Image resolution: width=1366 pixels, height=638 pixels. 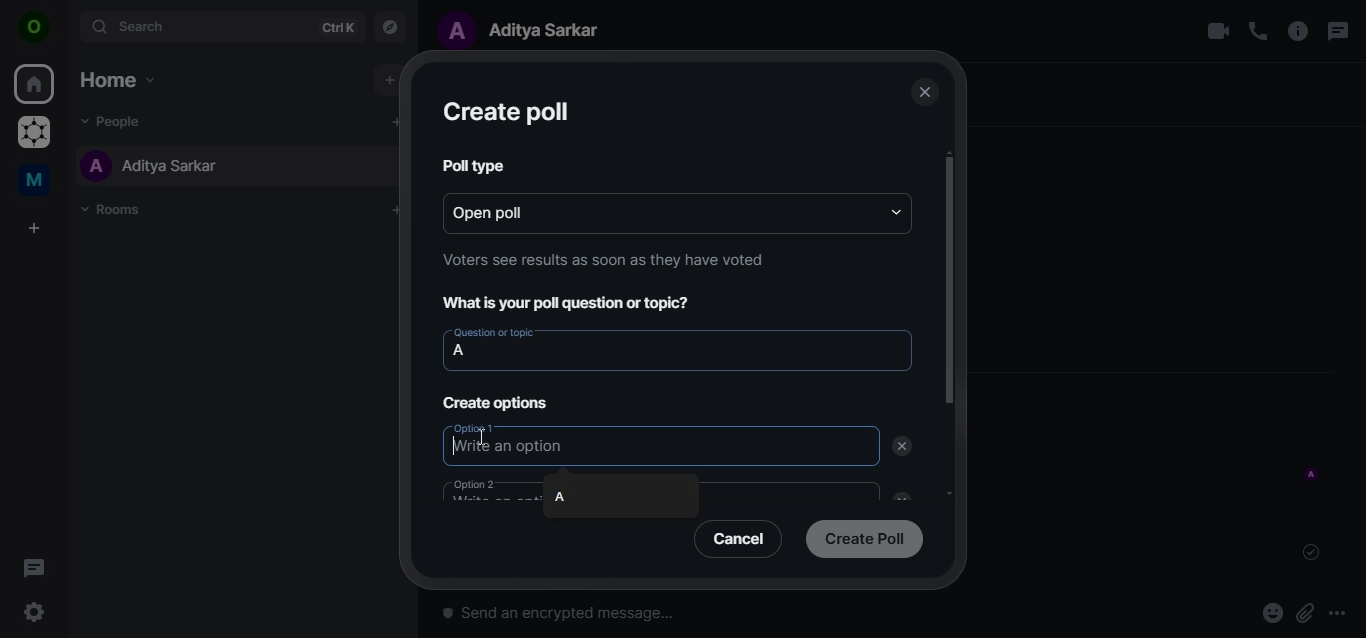 I want to click on create options, so click(x=498, y=403).